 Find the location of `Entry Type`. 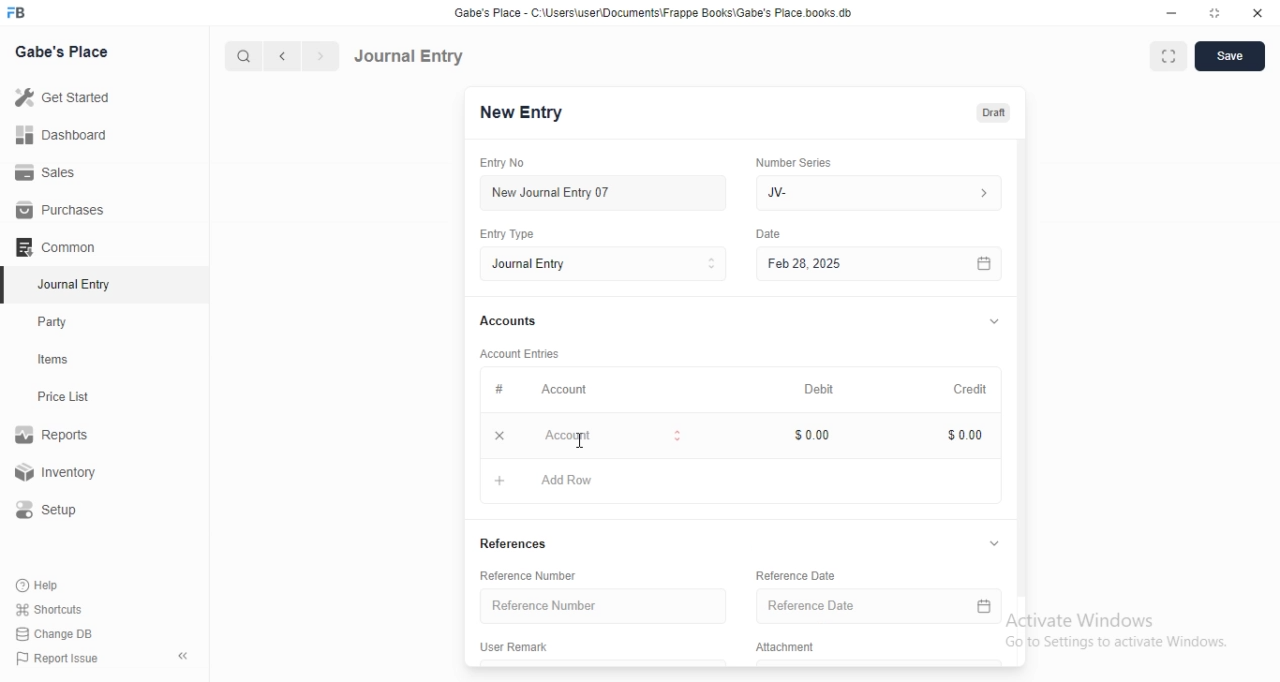

Entry Type is located at coordinates (602, 264).